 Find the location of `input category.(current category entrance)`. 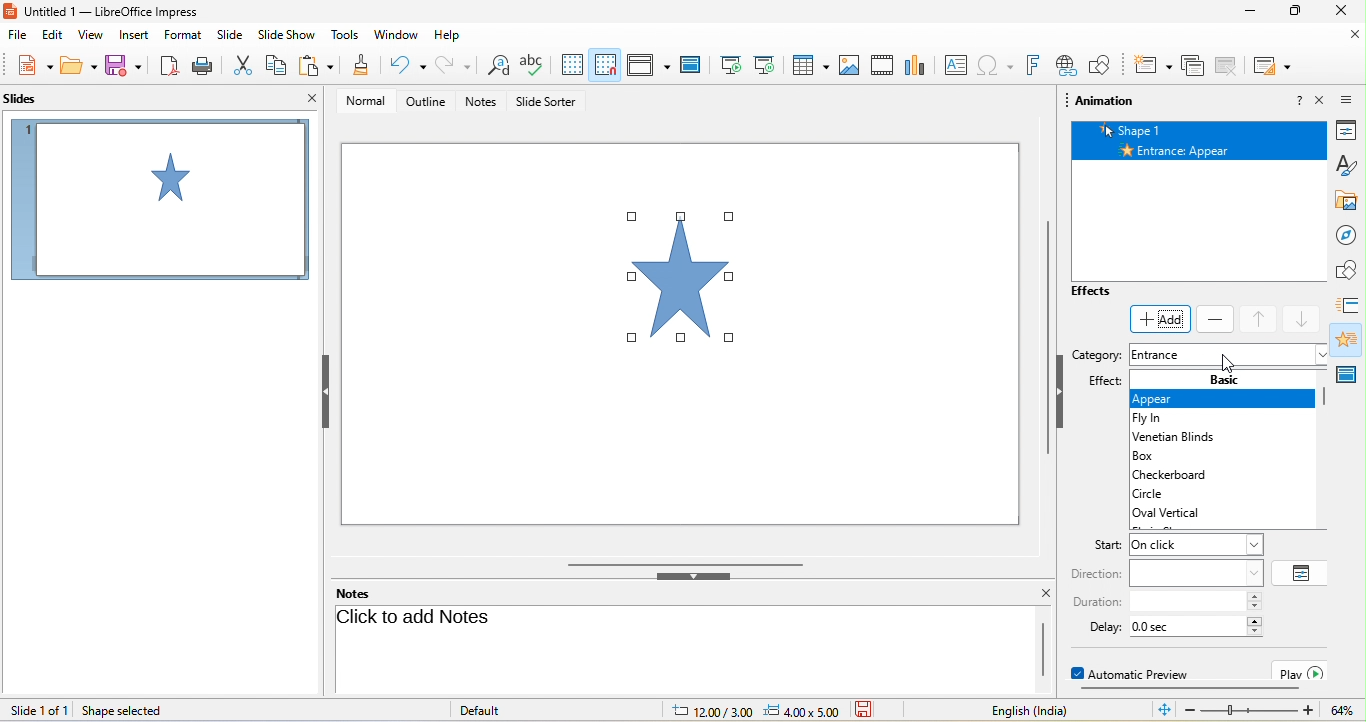

input category.(current category entrance) is located at coordinates (1228, 356).